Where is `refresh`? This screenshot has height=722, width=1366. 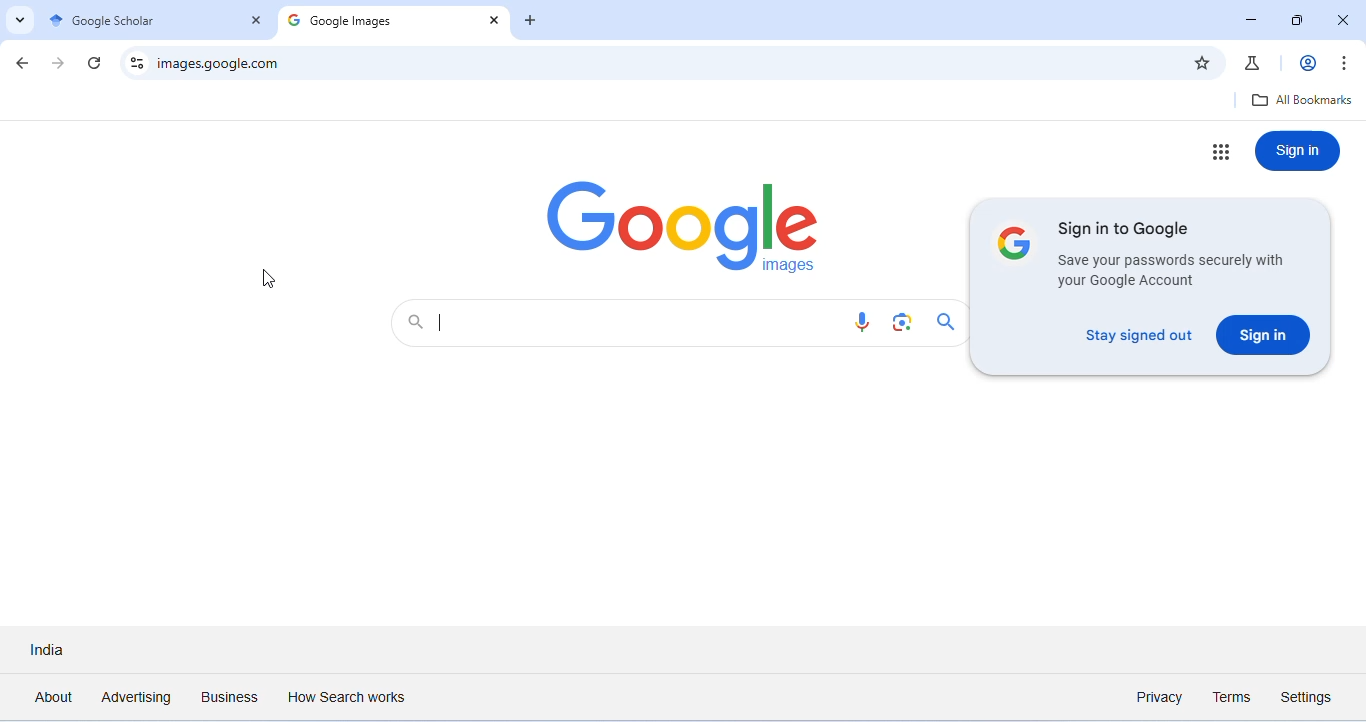
refresh is located at coordinates (97, 64).